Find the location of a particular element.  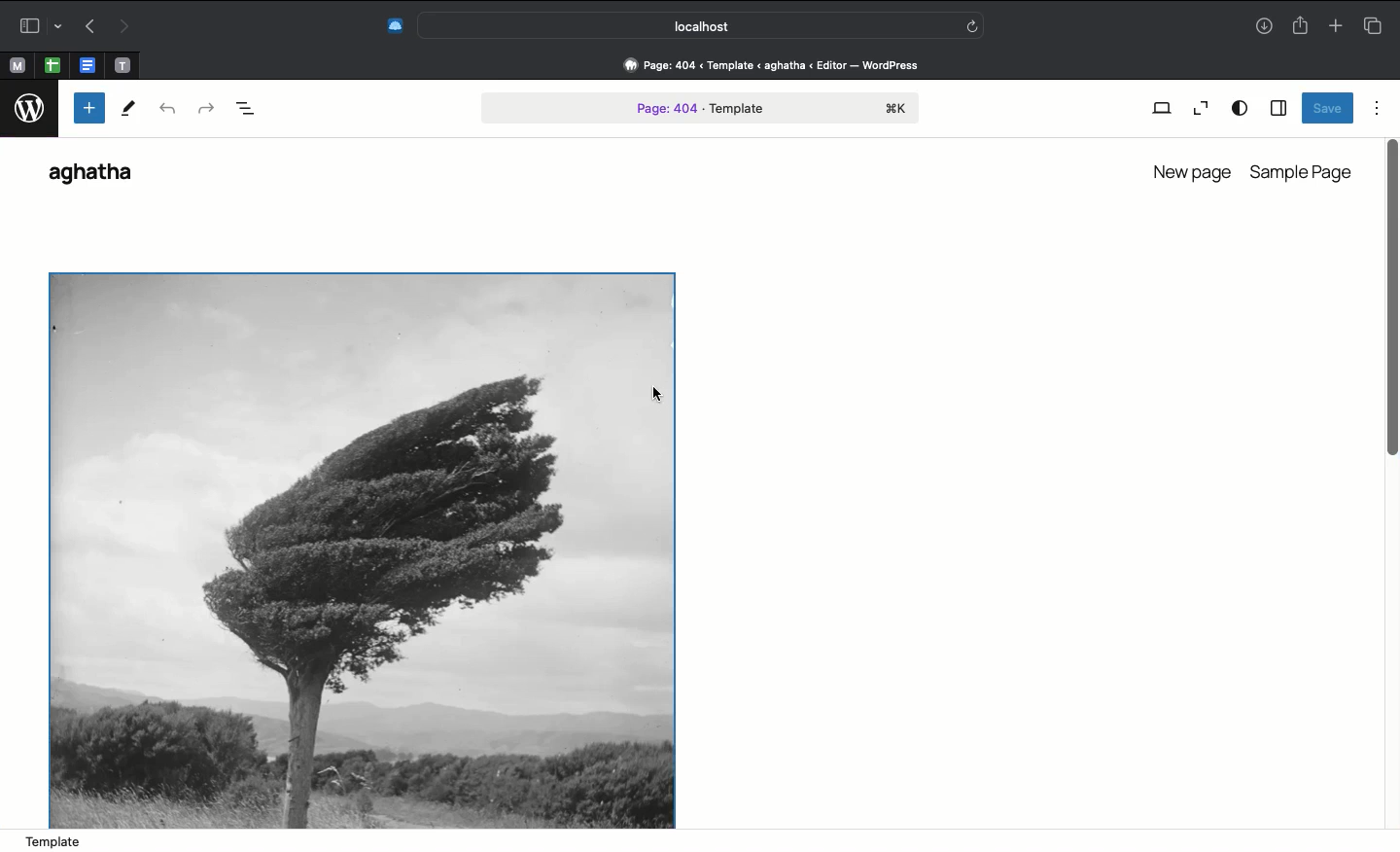

Tabs is located at coordinates (1378, 23).